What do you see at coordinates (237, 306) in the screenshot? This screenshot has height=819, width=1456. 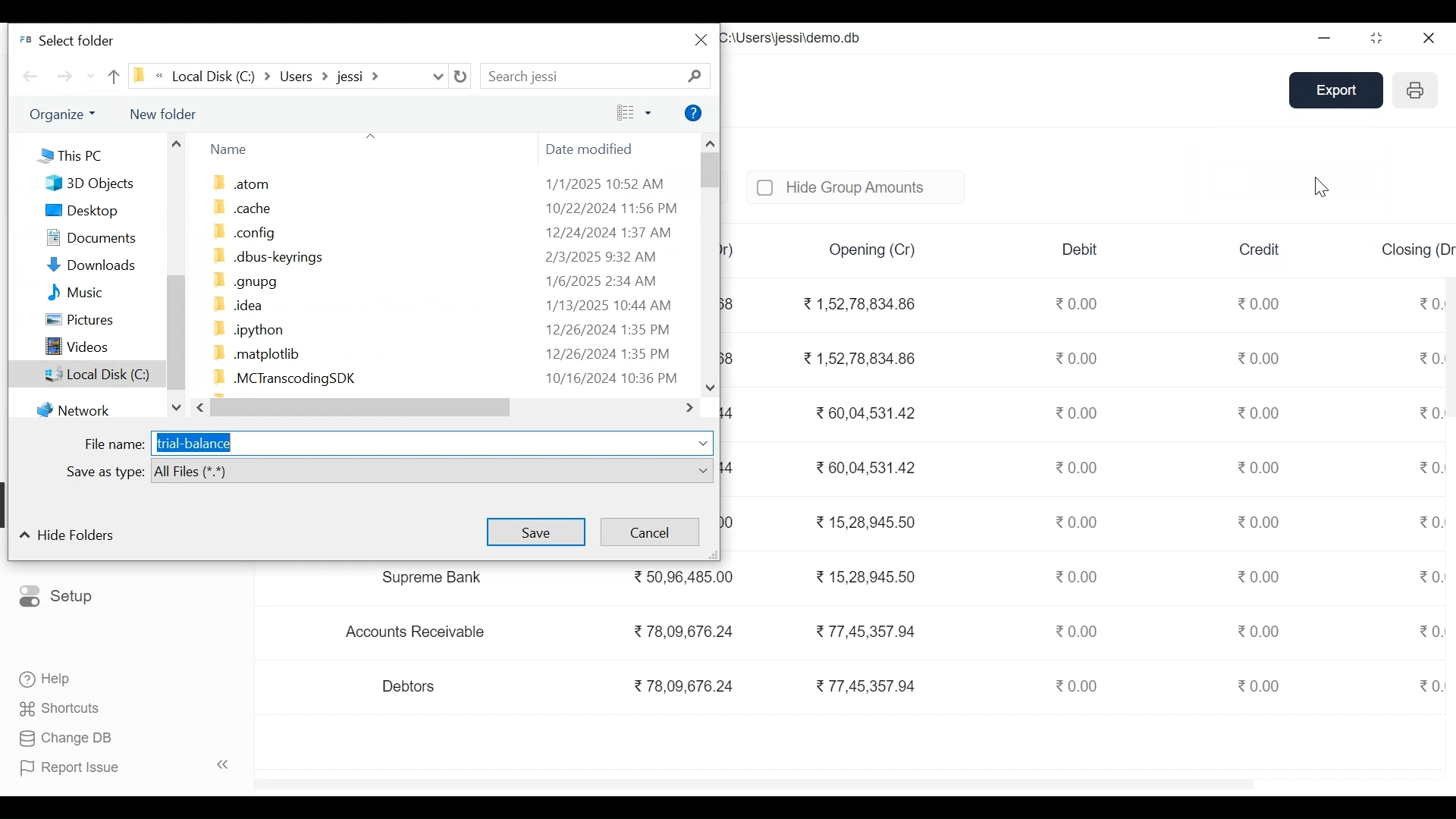 I see `.idea` at bounding box center [237, 306].